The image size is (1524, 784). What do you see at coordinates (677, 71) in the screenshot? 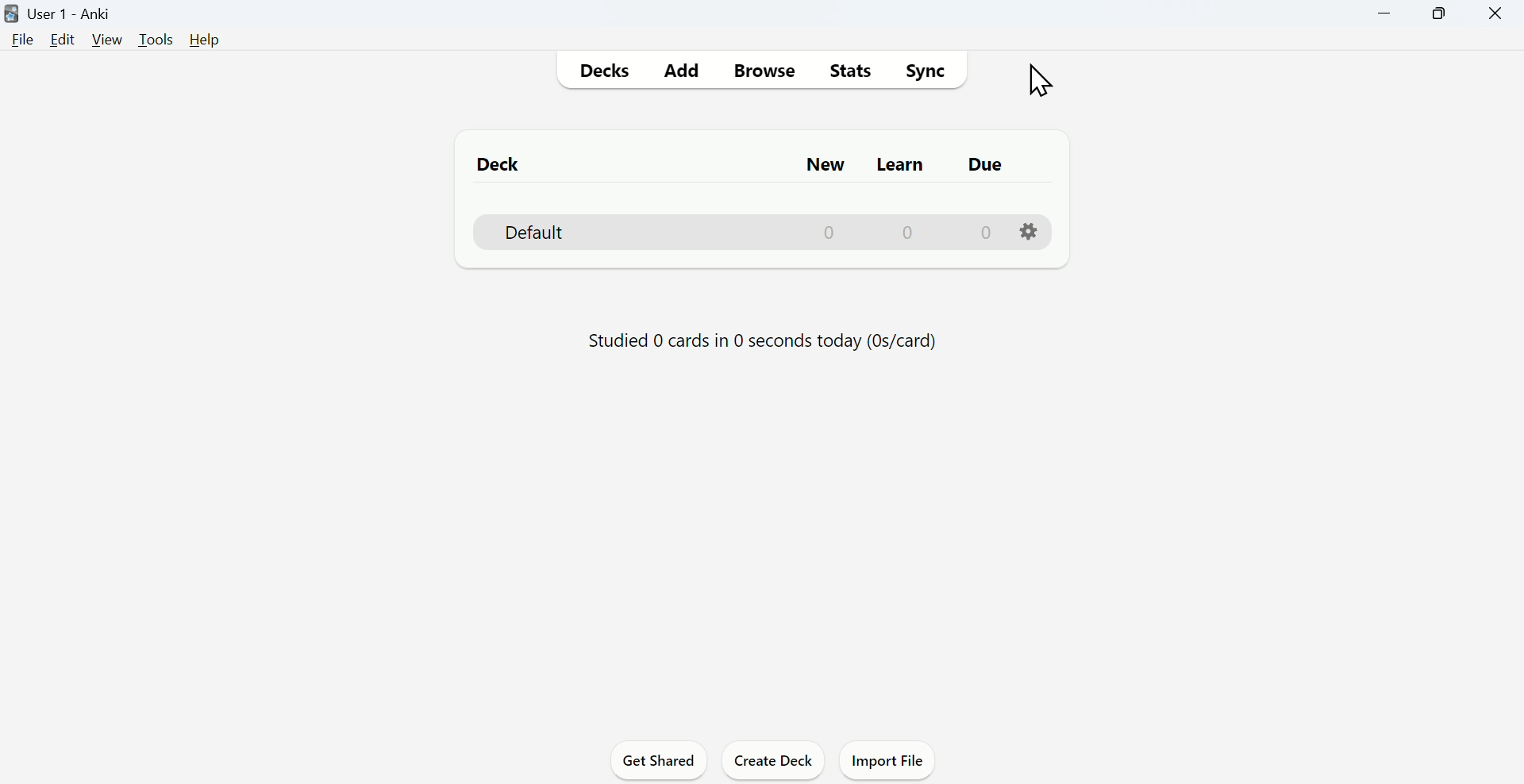
I see `Add` at bounding box center [677, 71].